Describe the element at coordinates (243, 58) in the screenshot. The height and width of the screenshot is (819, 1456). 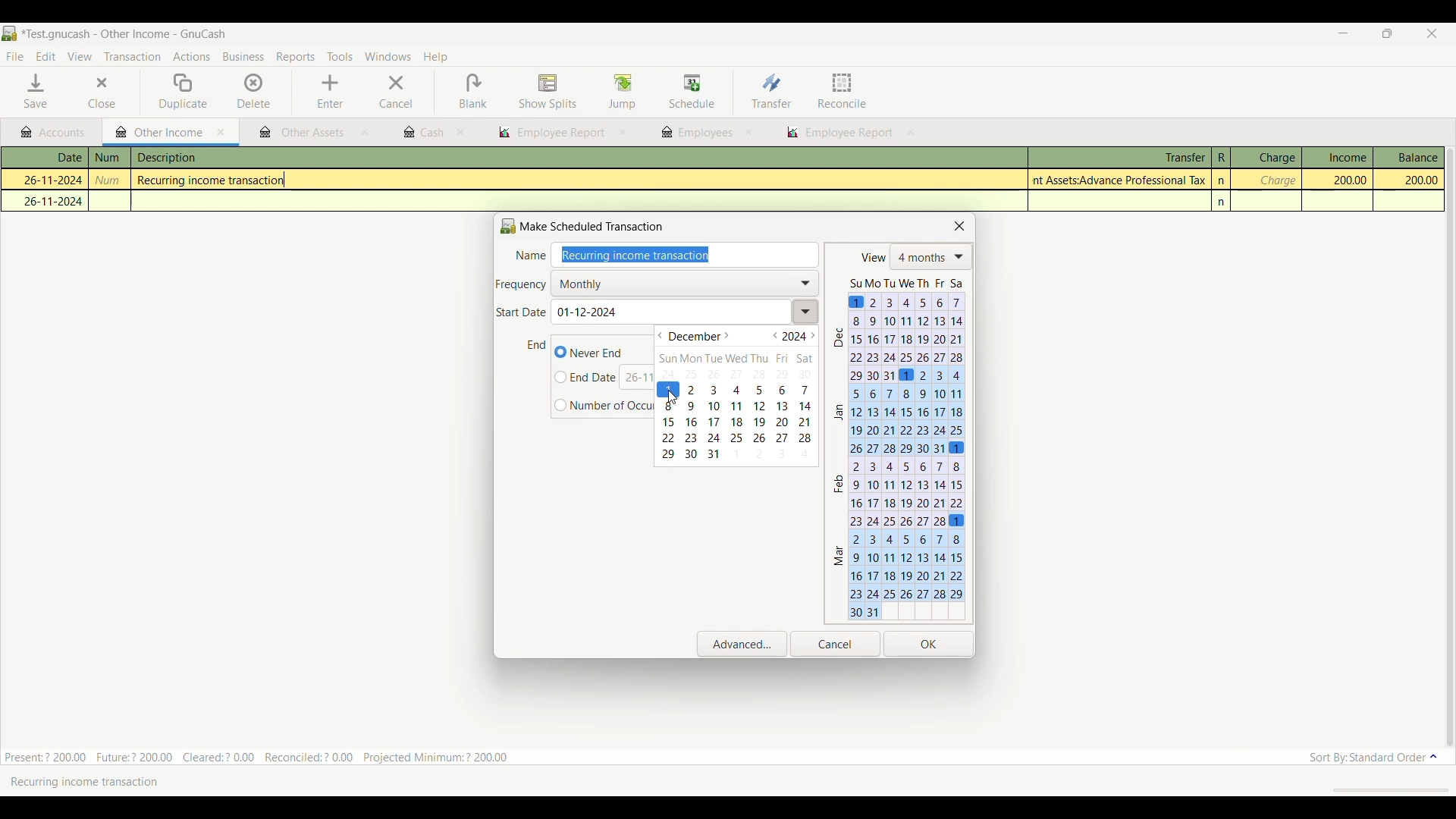
I see `Business menu` at that location.